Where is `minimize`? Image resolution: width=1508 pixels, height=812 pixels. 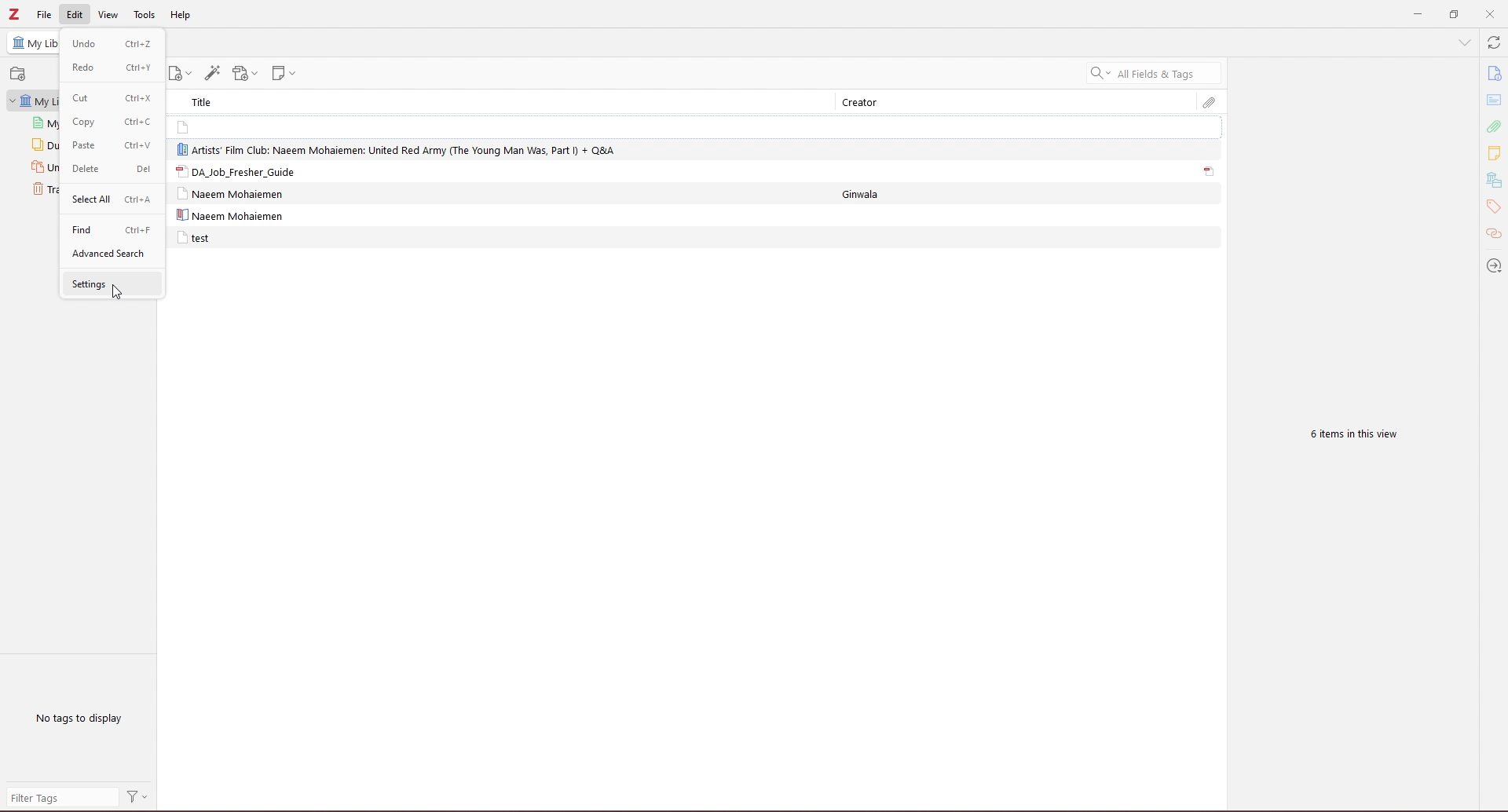
minimize is located at coordinates (1415, 15).